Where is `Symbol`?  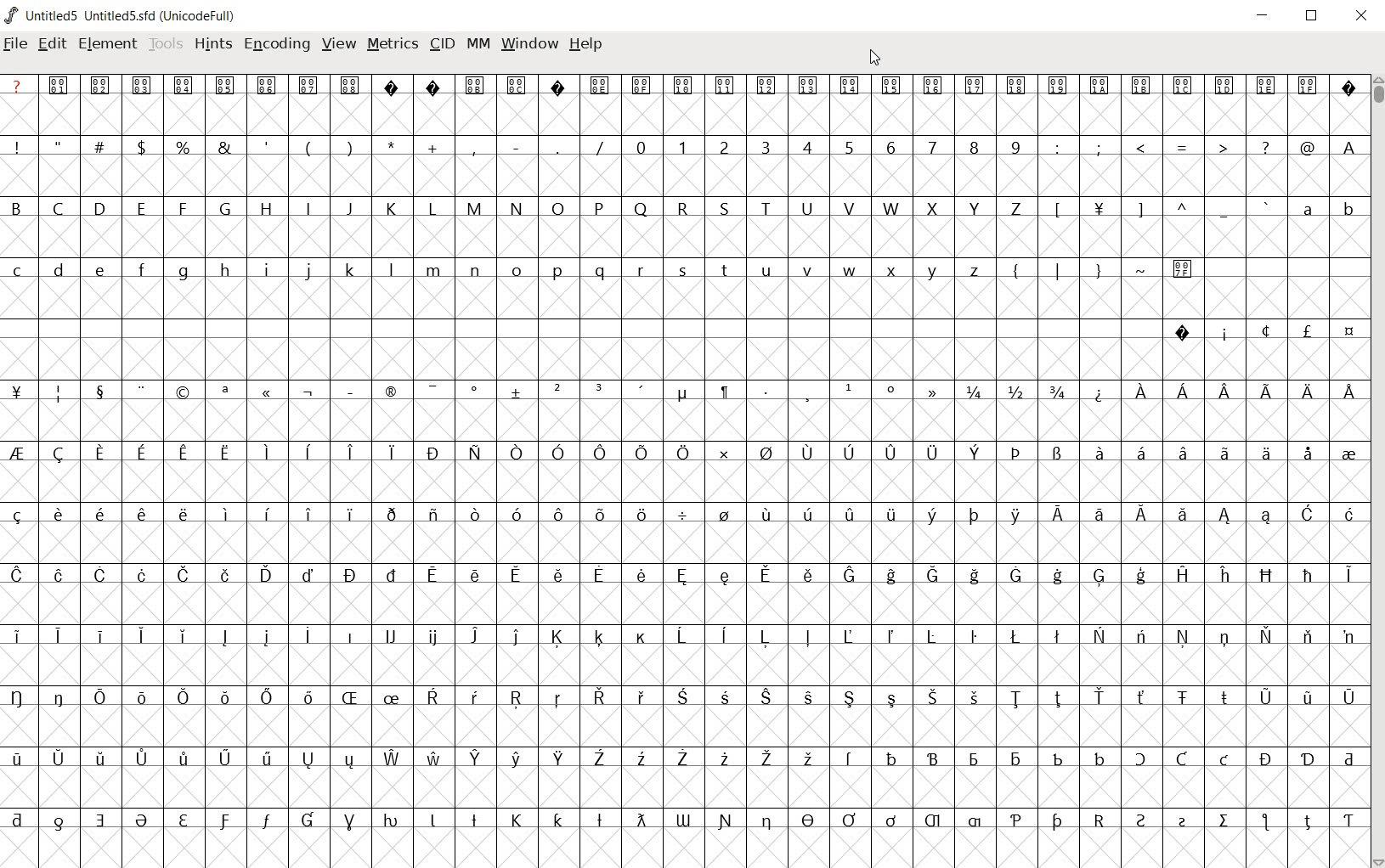 Symbol is located at coordinates (850, 514).